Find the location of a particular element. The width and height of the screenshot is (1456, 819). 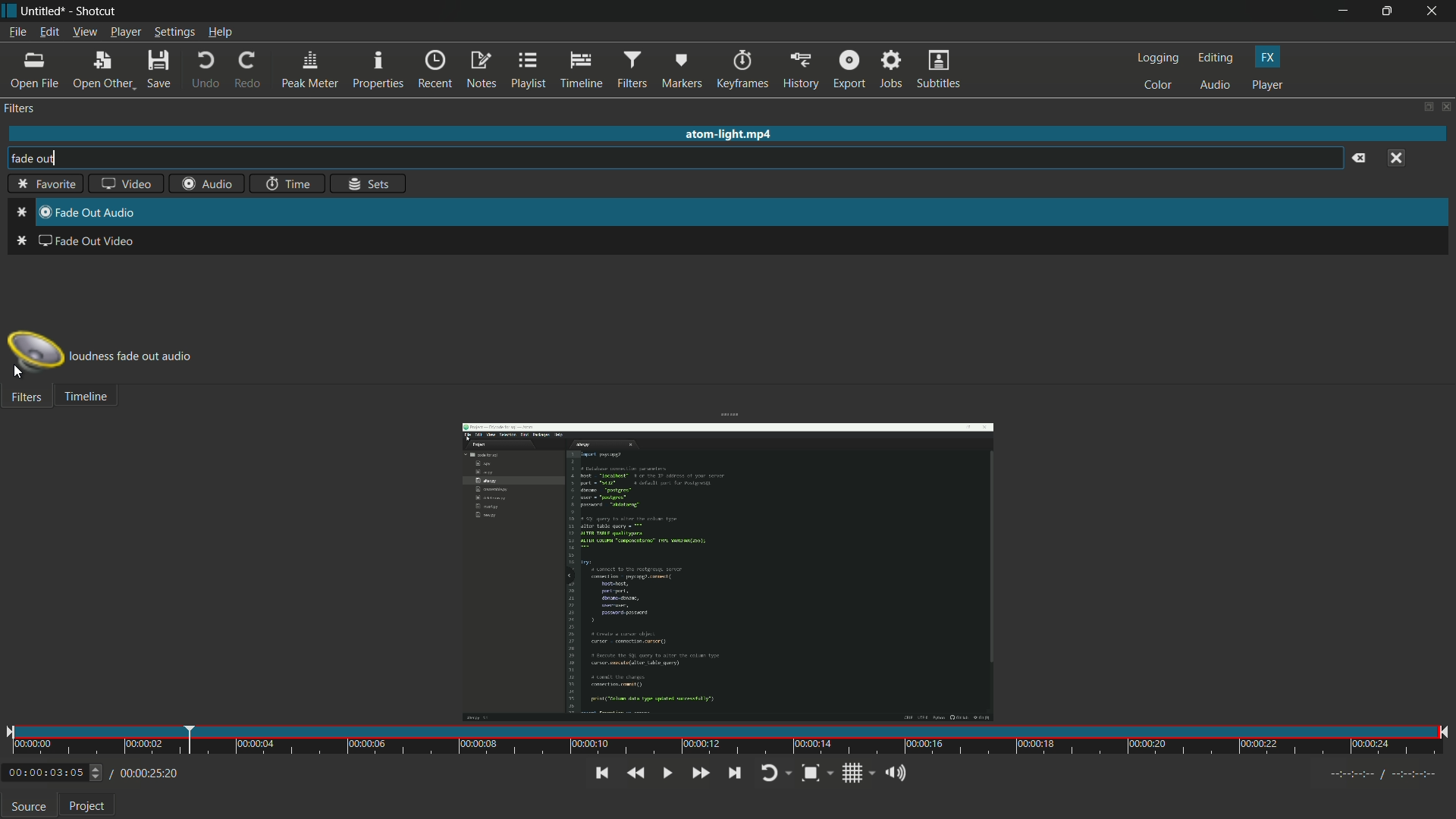

player menu is located at coordinates (126, 33).